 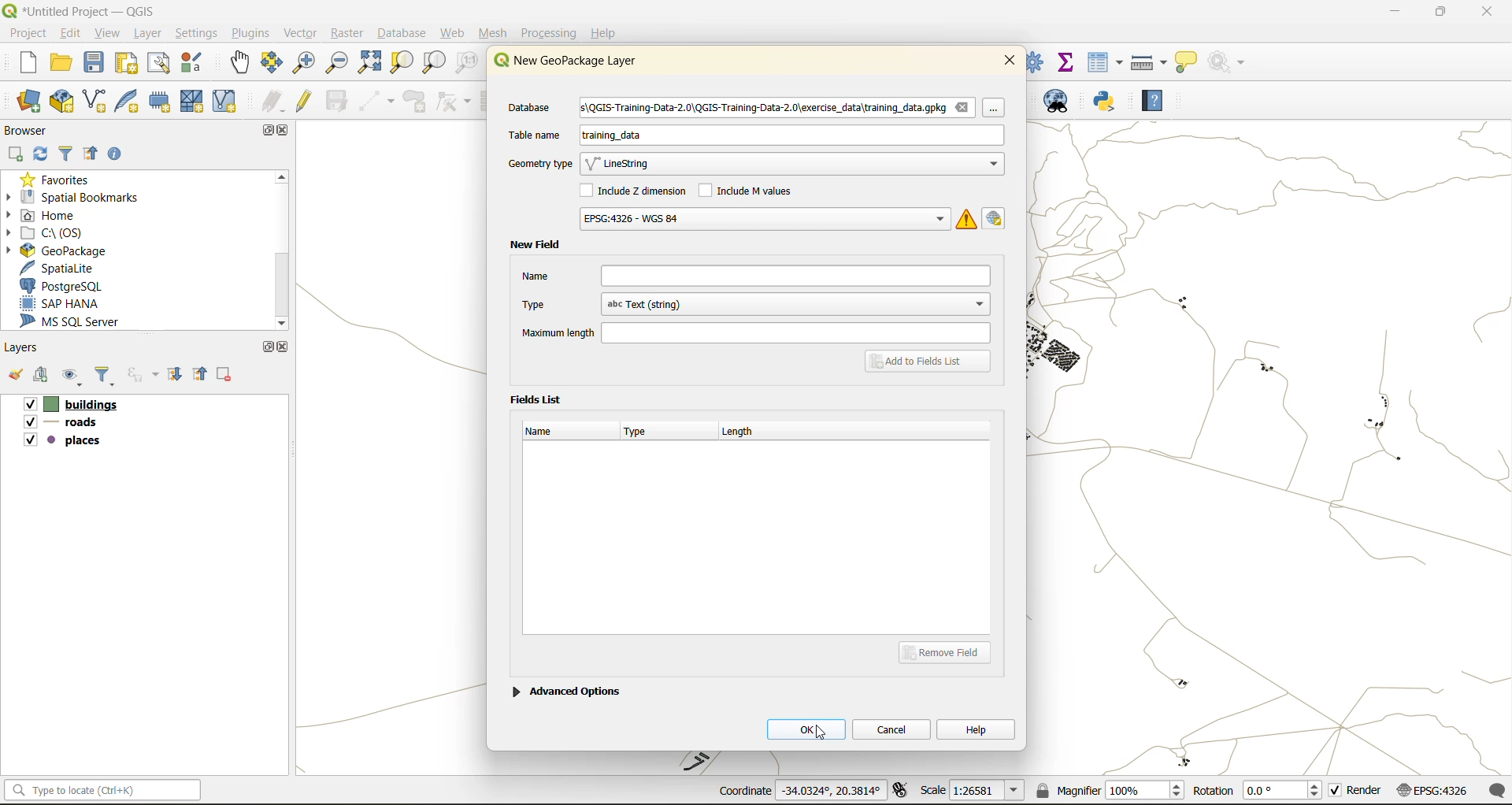 What do you see at coordinates (467, 65) in the screenshot?
I see `zoom native` at bounding box center [467, 65].